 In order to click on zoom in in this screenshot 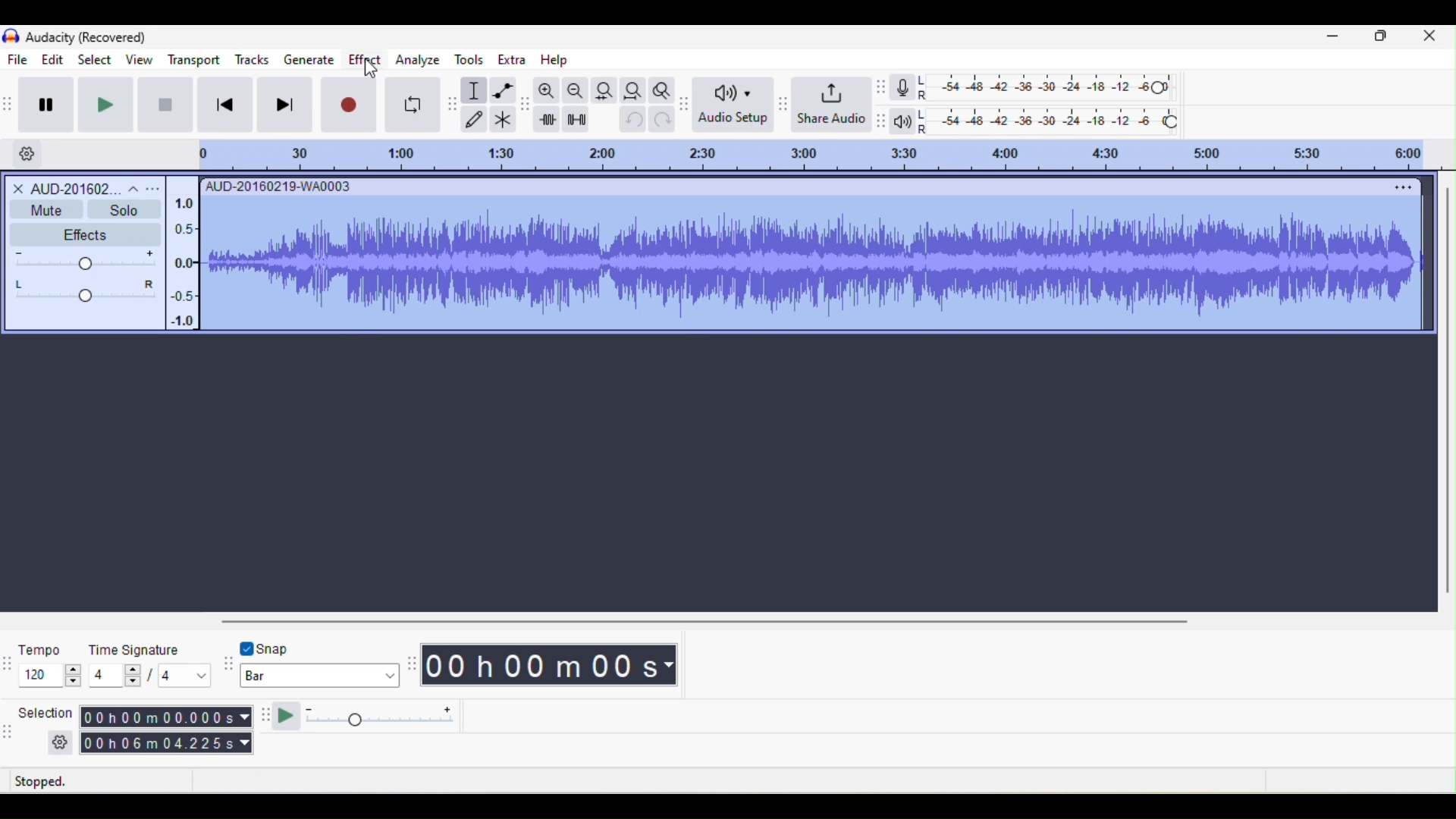, I will do `click(547, 91)`.